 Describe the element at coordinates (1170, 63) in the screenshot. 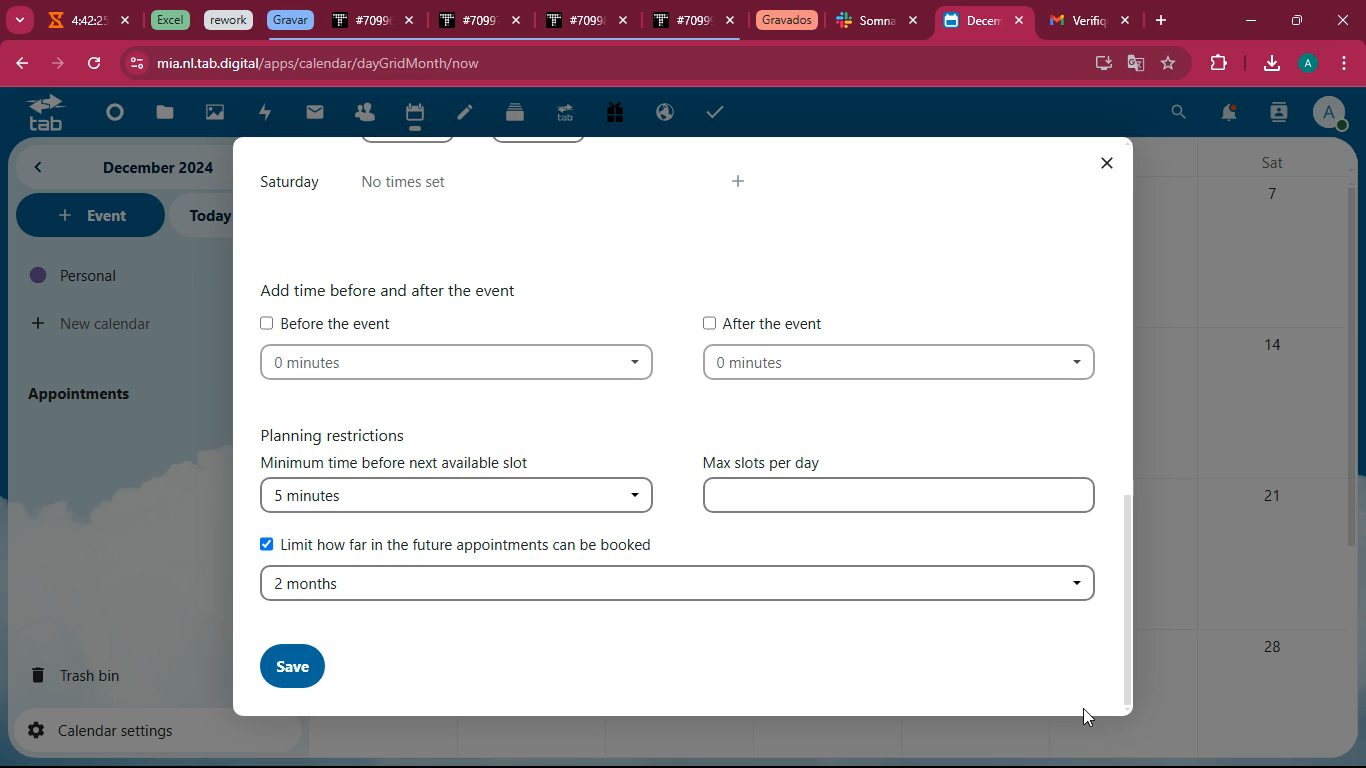

I see `favorites` at that location.